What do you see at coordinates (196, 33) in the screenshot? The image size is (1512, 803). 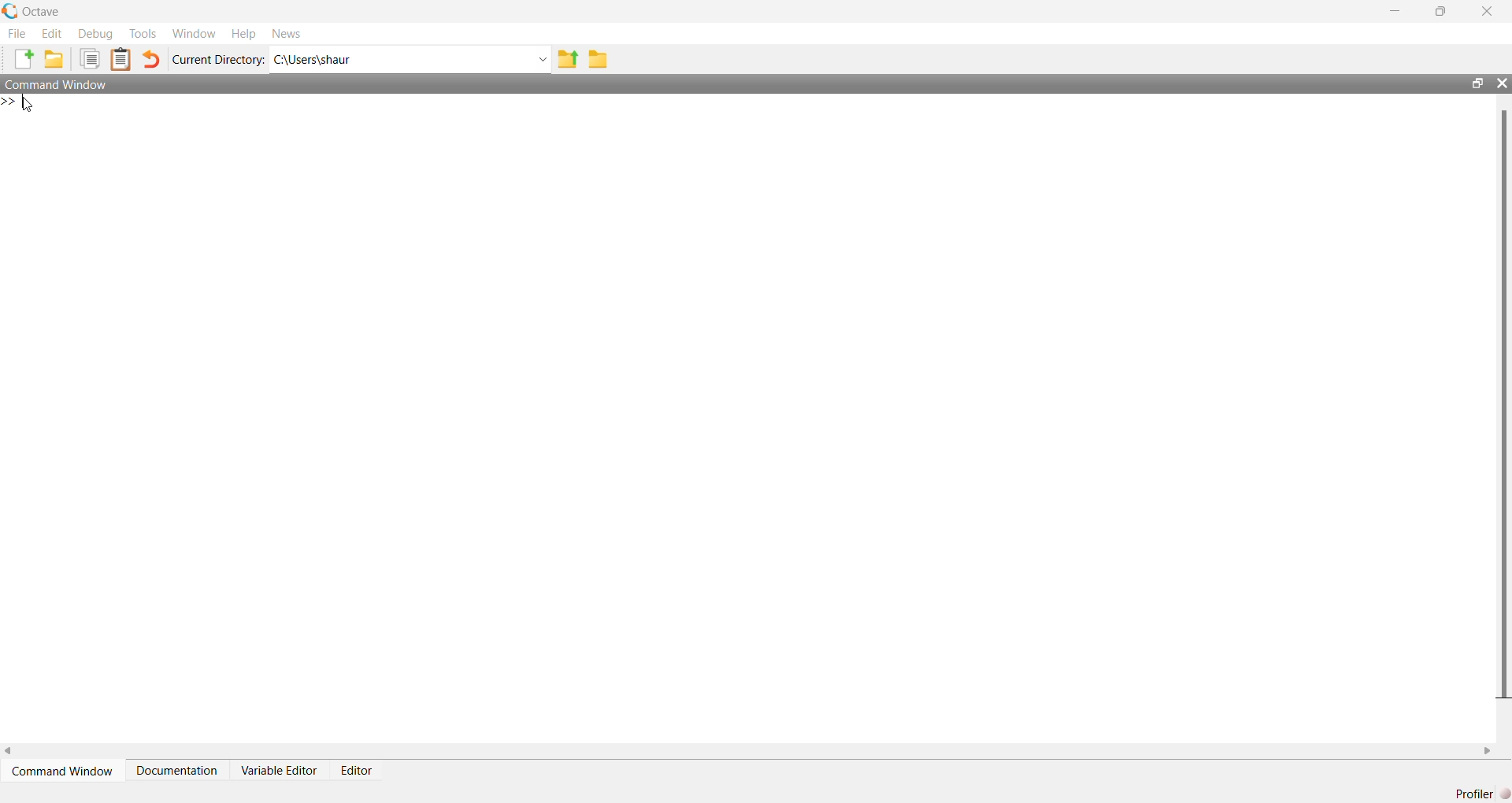 I see `window` at bounding box center [196, 33].